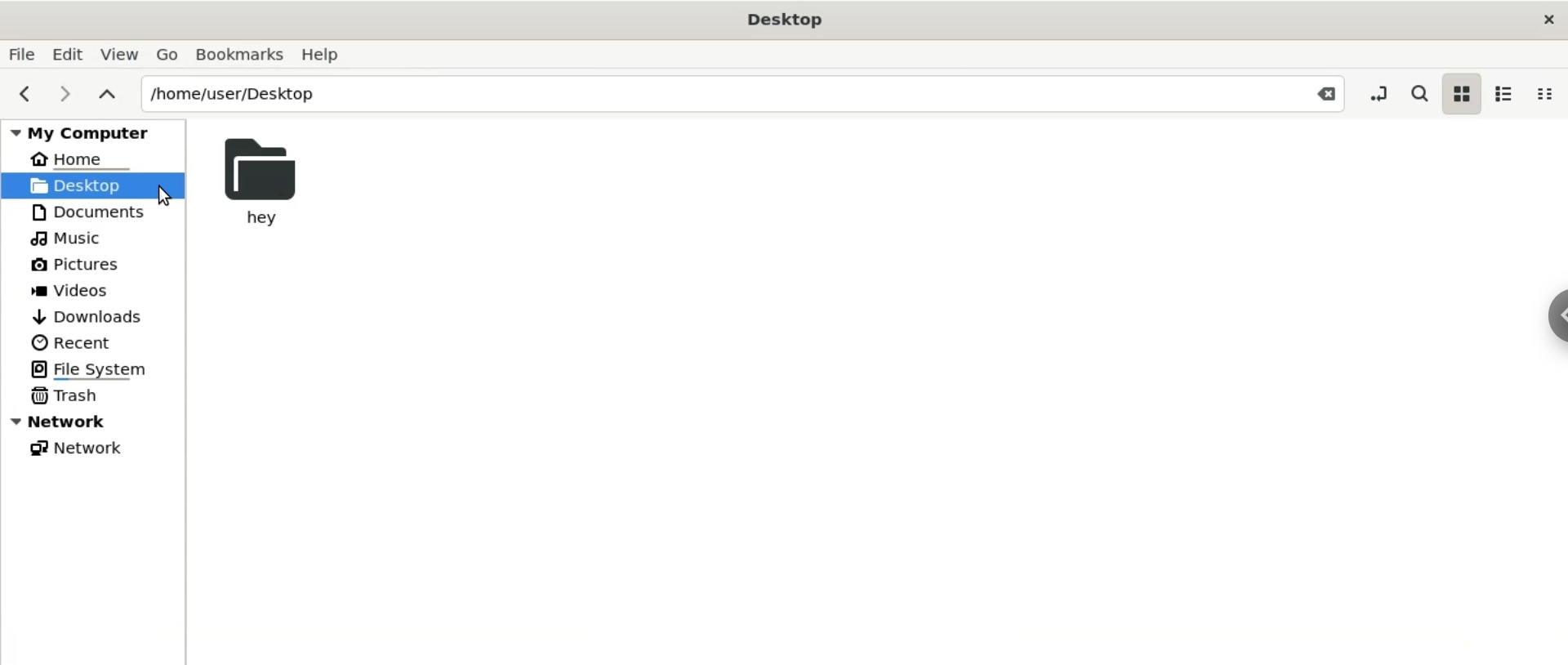 The width and height of the screenshot is (1568, 665). I want to click on Edit, so click(66, 53).